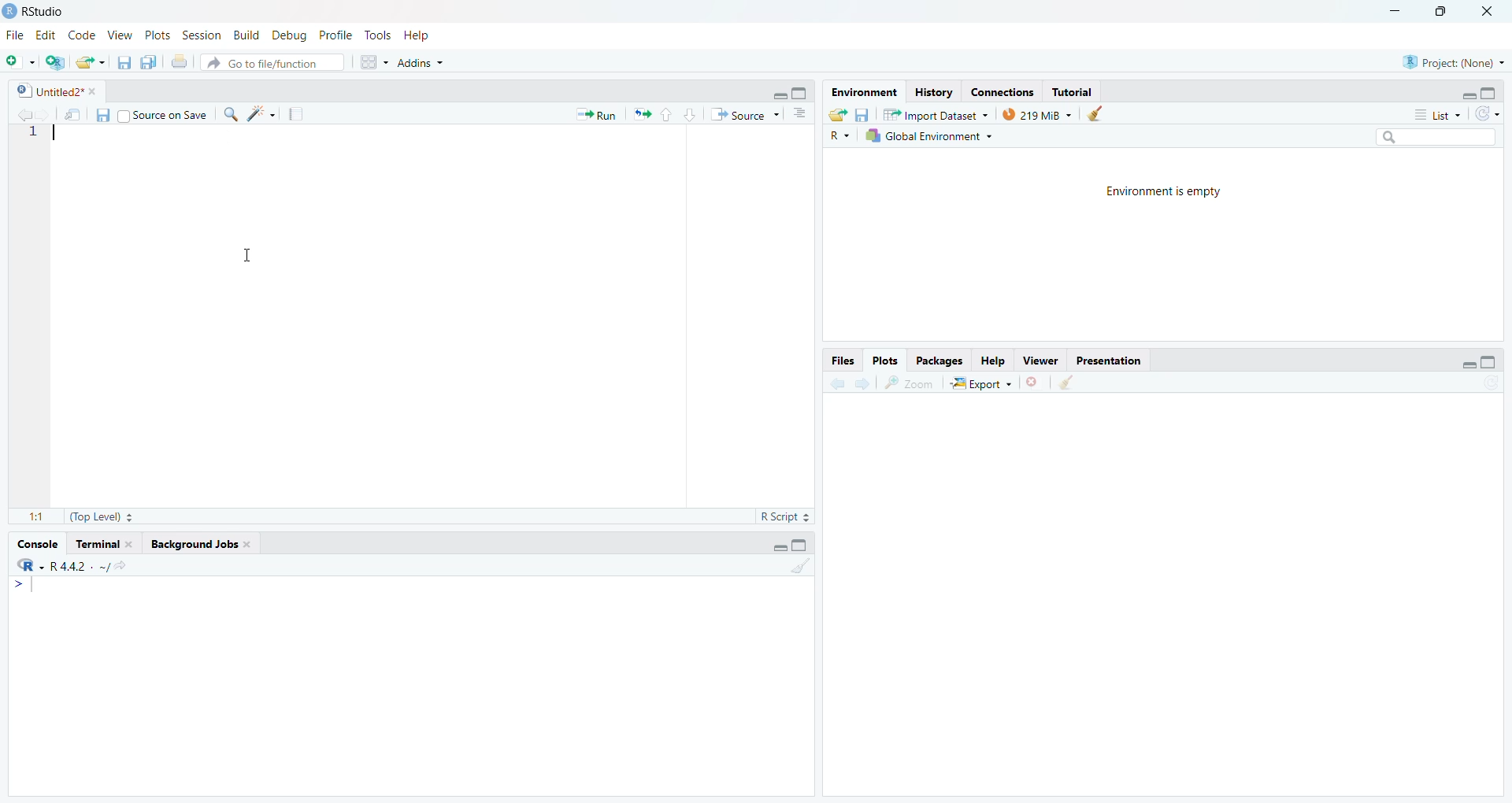 This screenshot has height=803, width=1512. What do you see at coordinates (90, 62) in the screenshot?
I see `Open an existing file` at bounding box center [90, 62].